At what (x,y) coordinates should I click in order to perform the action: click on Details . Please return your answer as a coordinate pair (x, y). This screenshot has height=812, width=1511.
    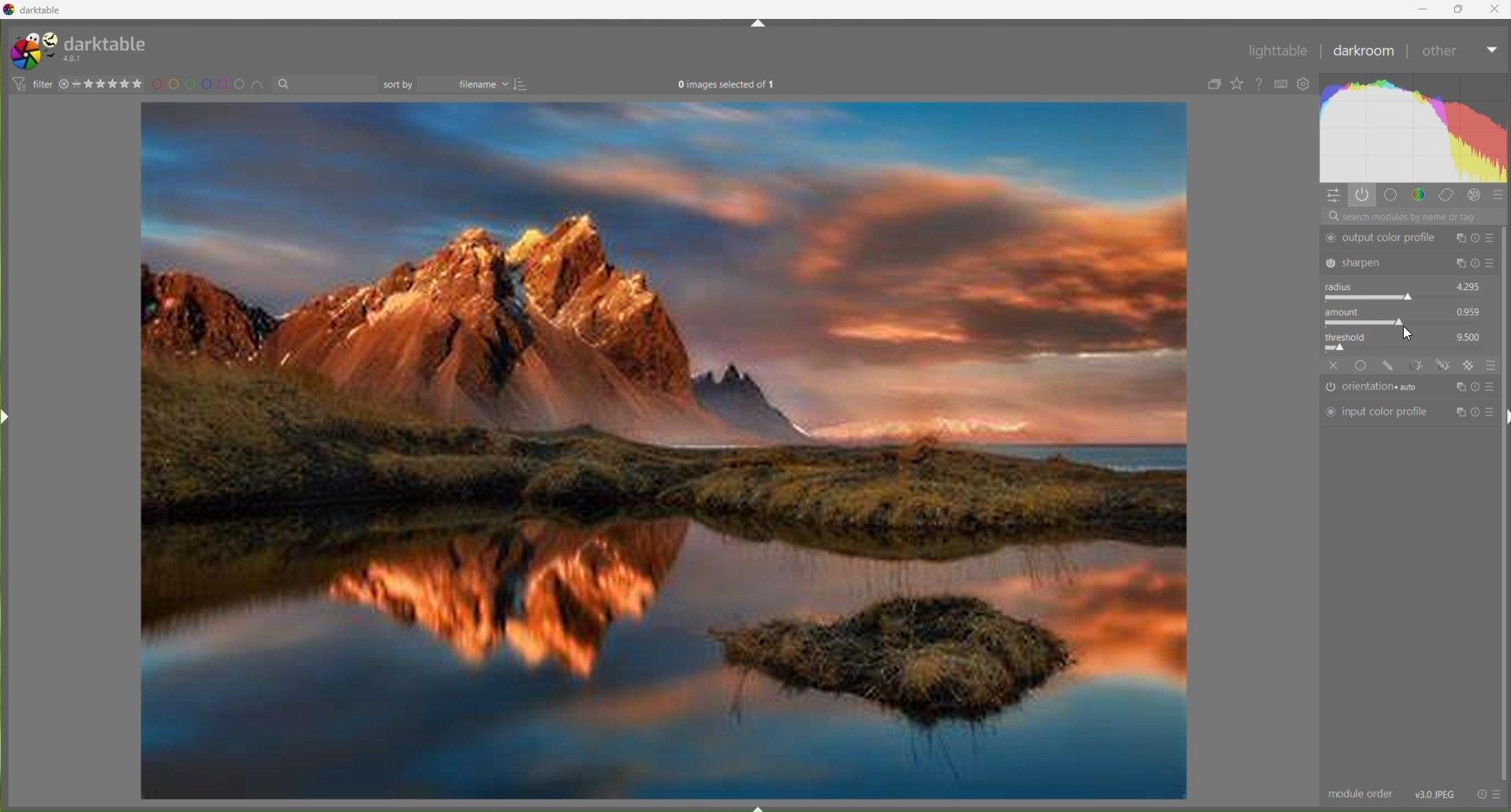
    Looking at the image, I should click on (1436, 793).